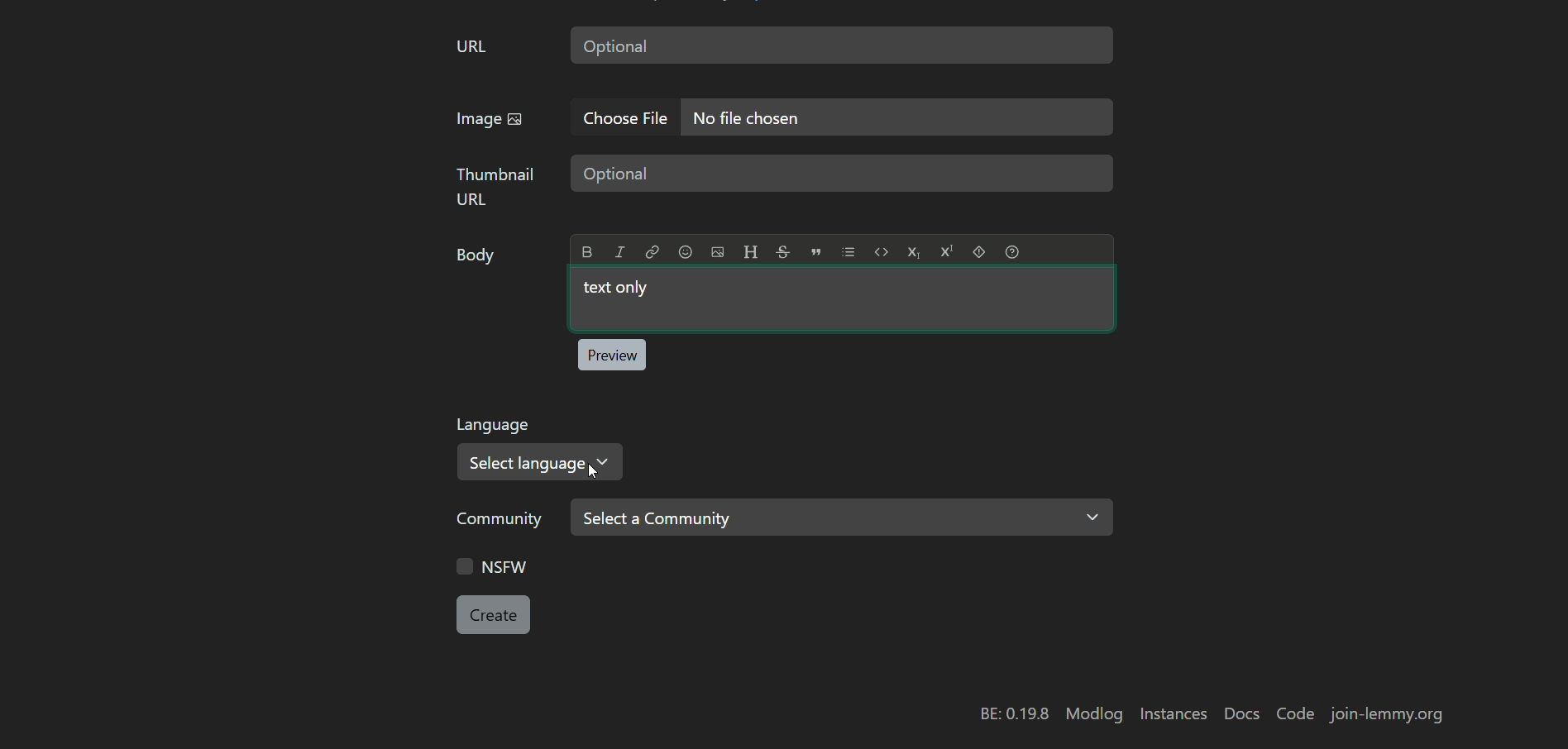 The height and width of the screenshot is (749, 1568). What do you see at coordinates (496, 186) in the screenshot?
I see `thumbnail URL` at bounding box center [496, 186].